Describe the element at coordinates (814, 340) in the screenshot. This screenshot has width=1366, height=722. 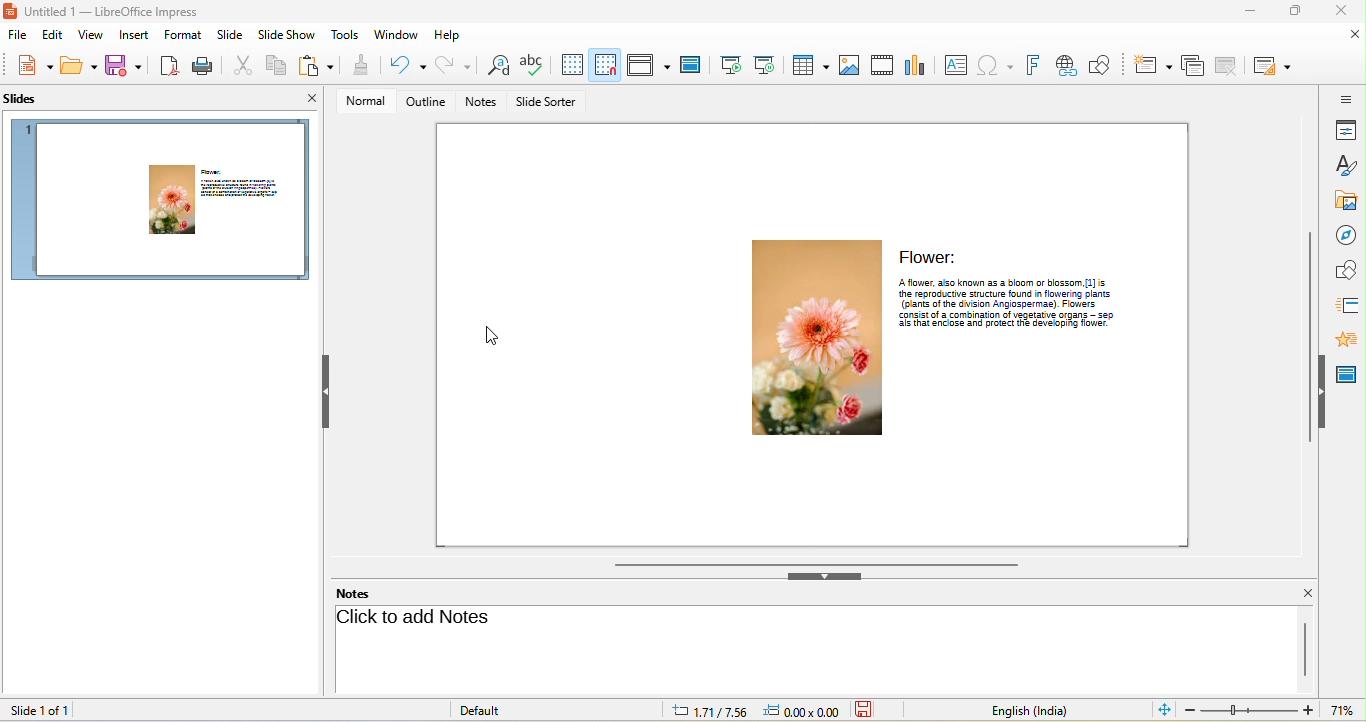
I see `image of flower` at that location.